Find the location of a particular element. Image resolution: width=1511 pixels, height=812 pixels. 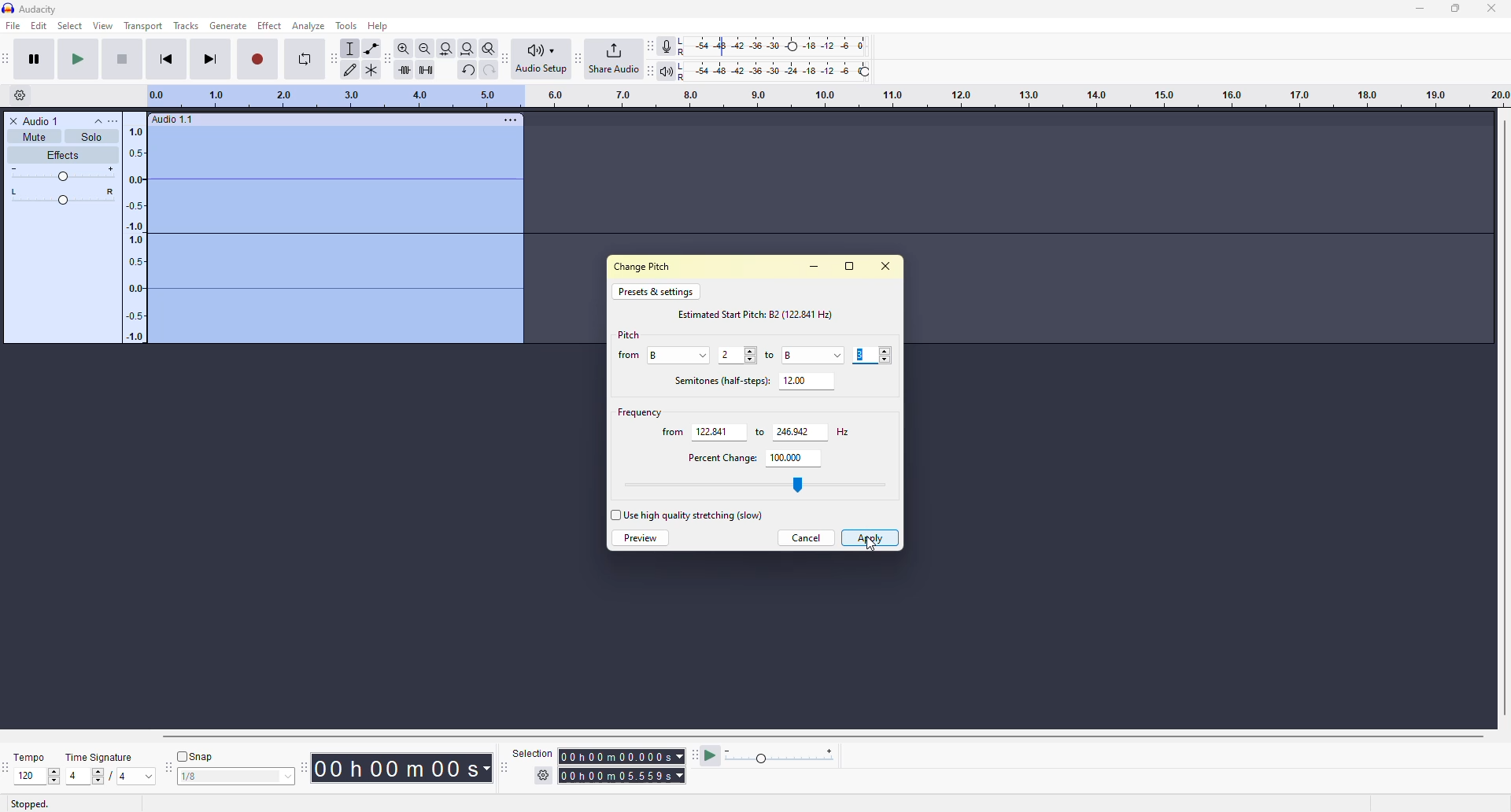

pitch is located at coordinates (629, 334).